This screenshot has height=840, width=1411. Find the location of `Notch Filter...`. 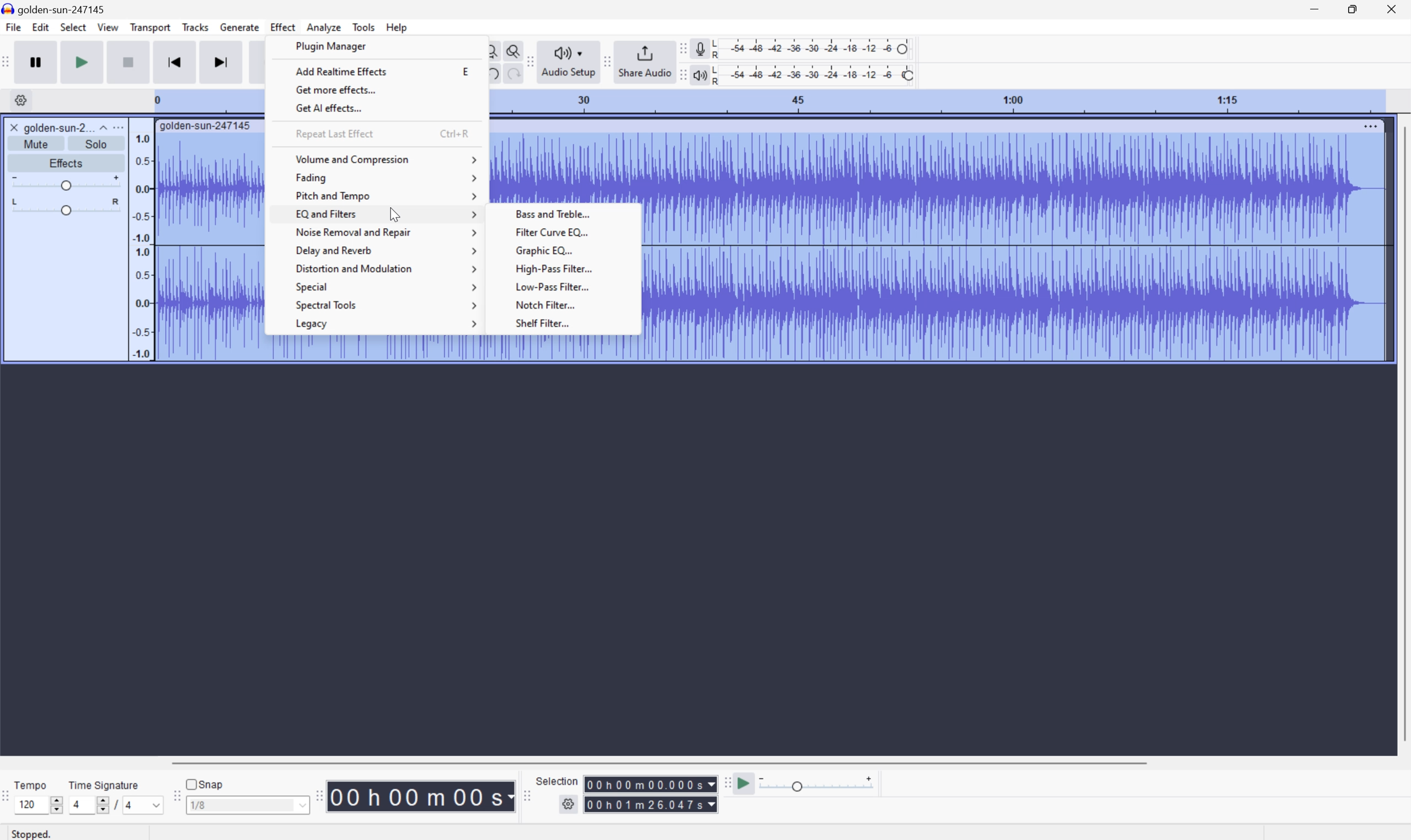

Notch Filter... is located at coordinates (572, 305).